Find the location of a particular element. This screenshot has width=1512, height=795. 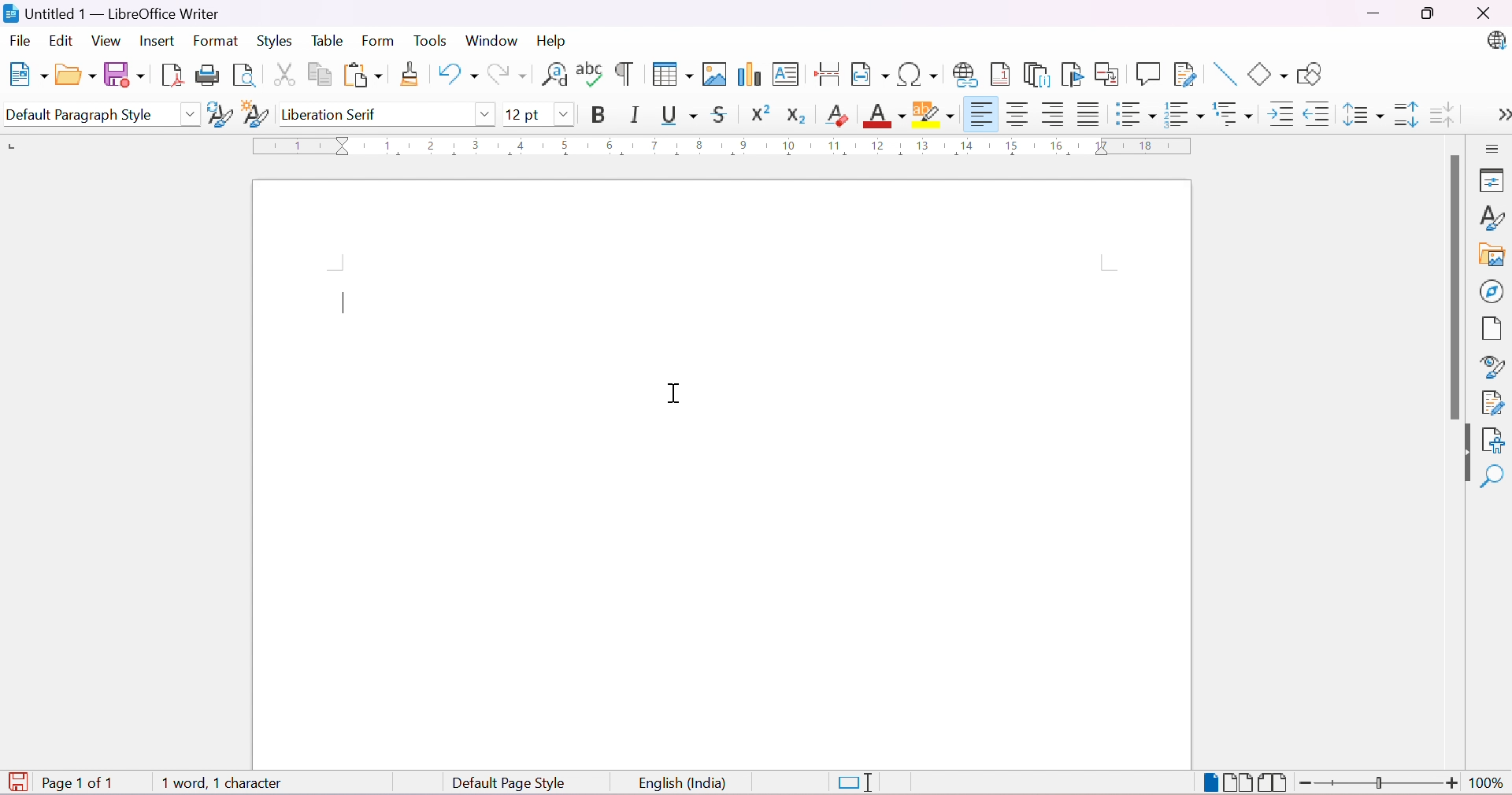

File is located at coordinates (20, 39).